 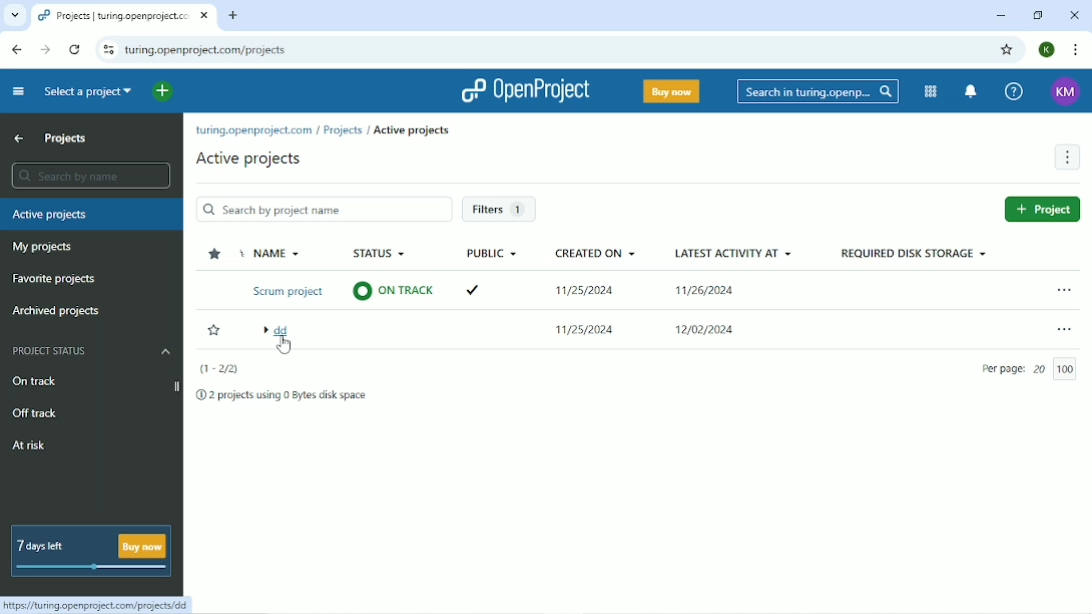 What do you see at coordinates (1046, 50) in the screenshot?
I see `Account` at bounding box center [1046, 50].